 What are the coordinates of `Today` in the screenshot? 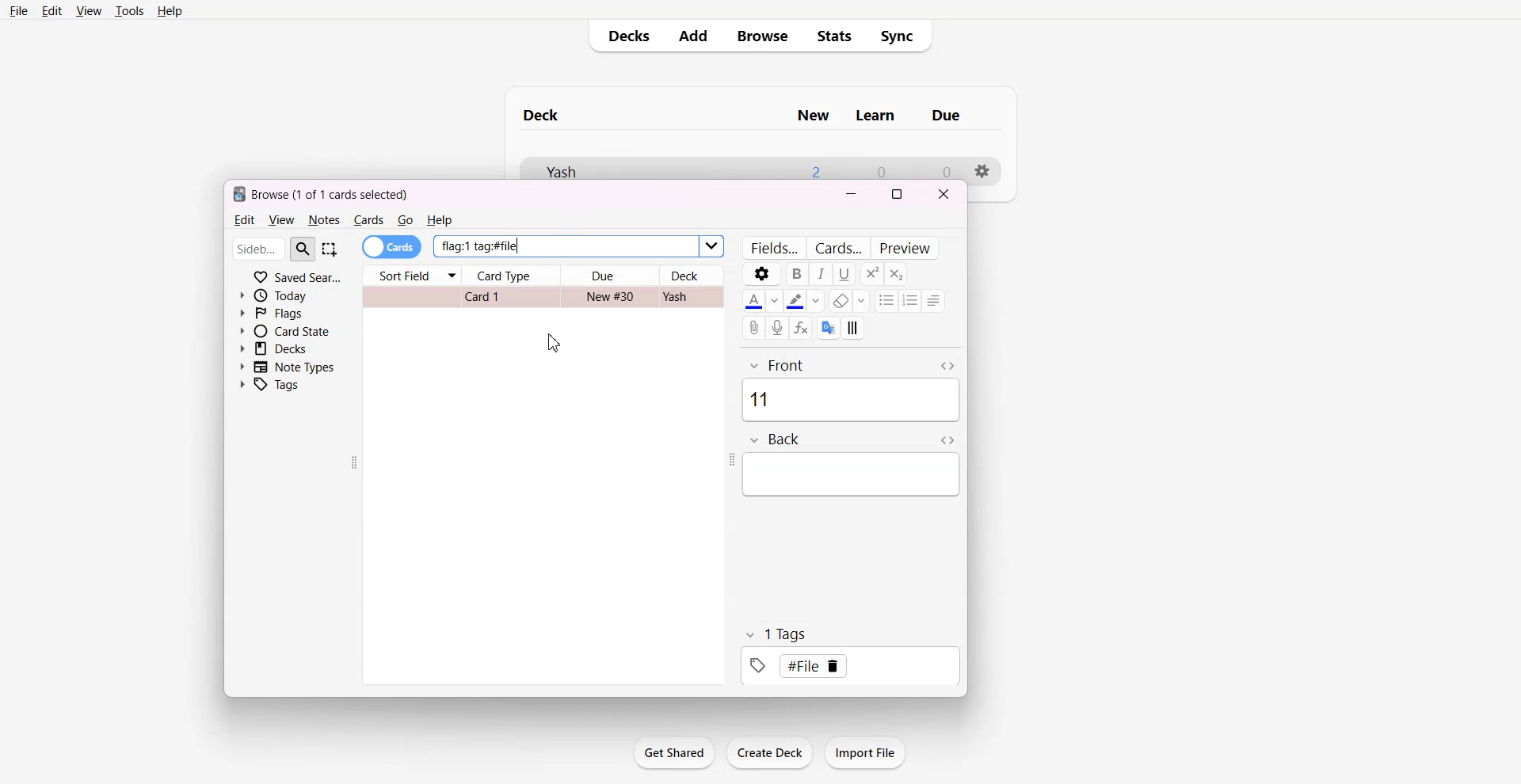 It's located at (283, 296).